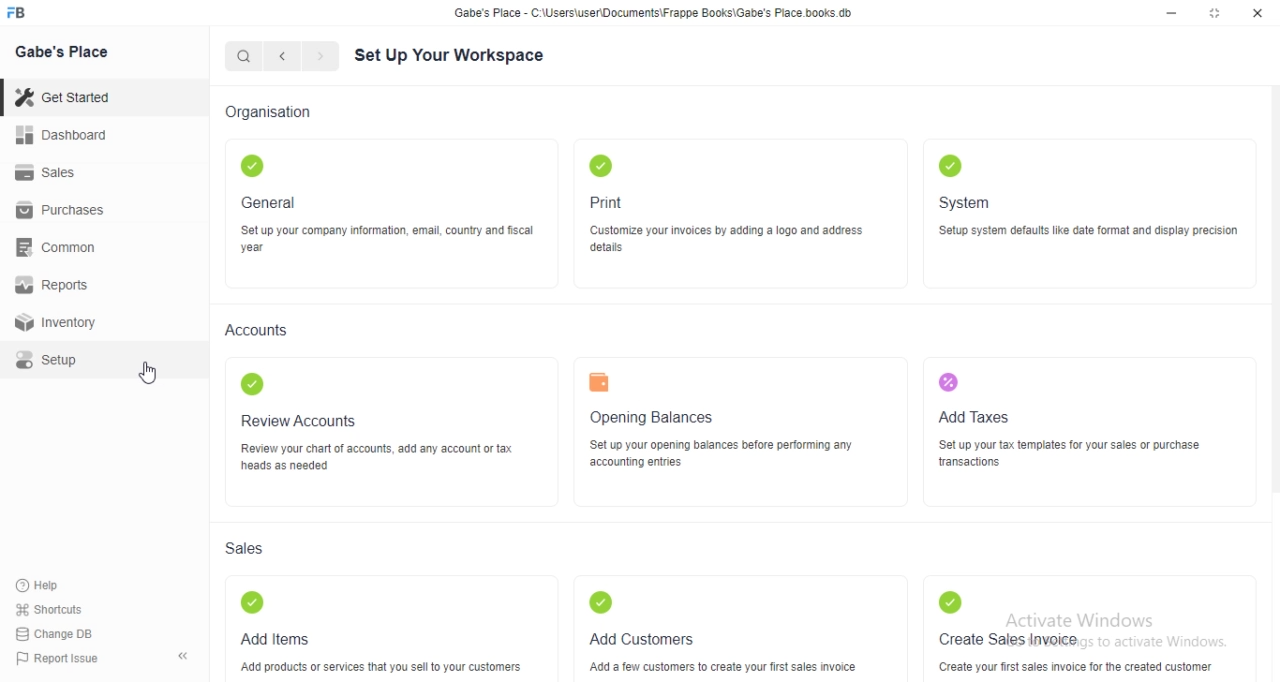 The image size is (1280, 682). Describe the element at coordinates (69, 96) in the screenshot. I see `Get Started` at that location.